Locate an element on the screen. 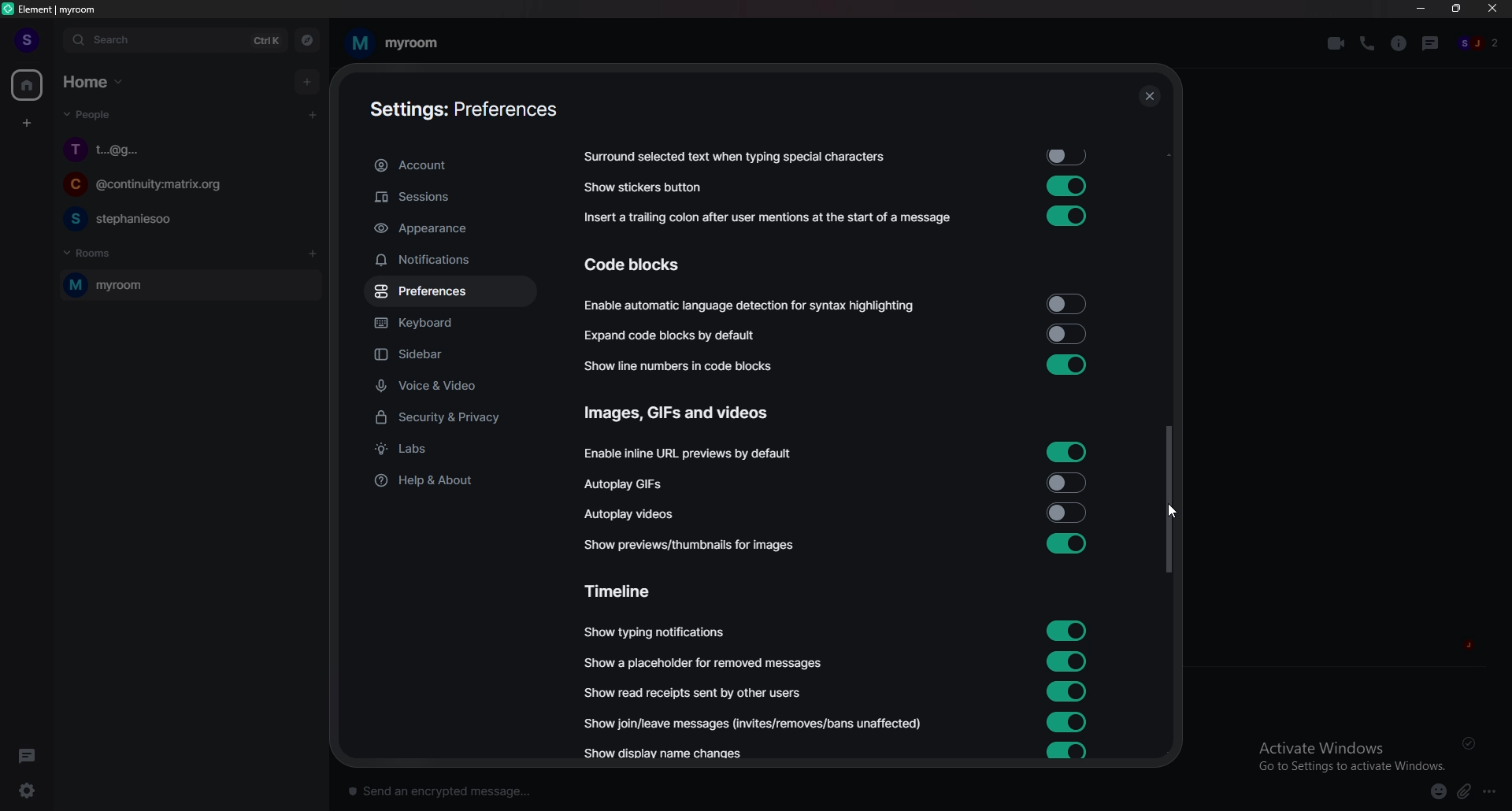  room is located at coordinates (187, 286).